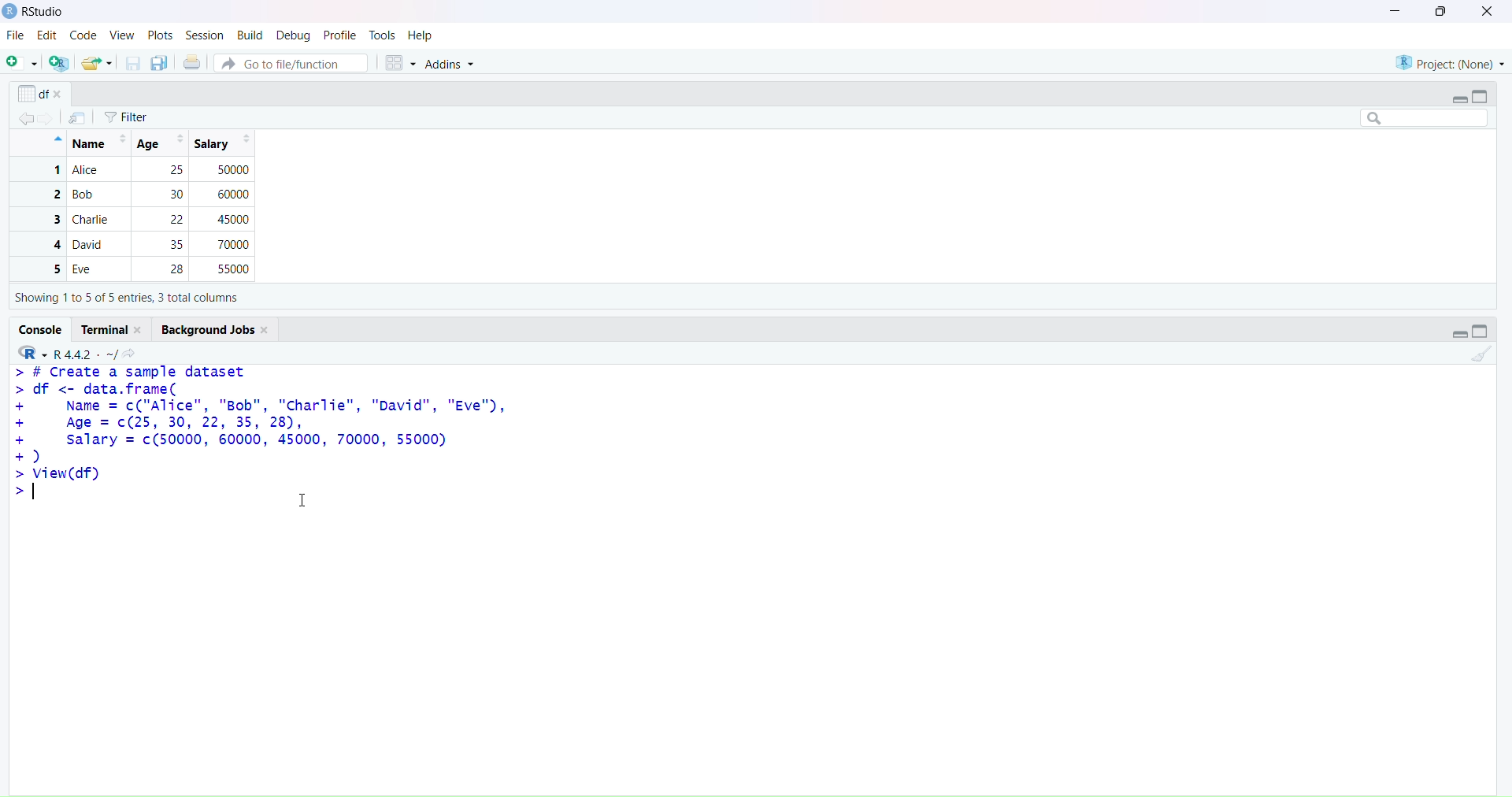  Describe the element at coordinates (251, 35) in the screenshot. I see `build` at that location.